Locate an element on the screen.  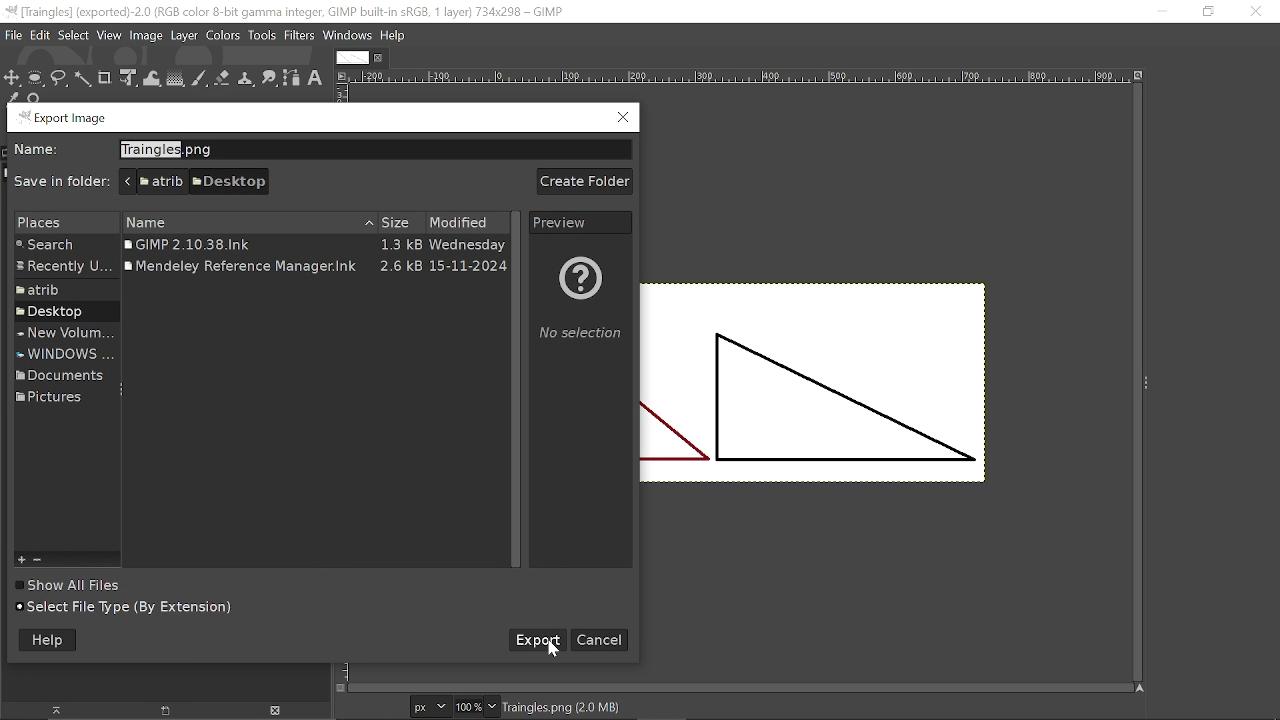
Smudge tool is located at coordinates (271, 79).